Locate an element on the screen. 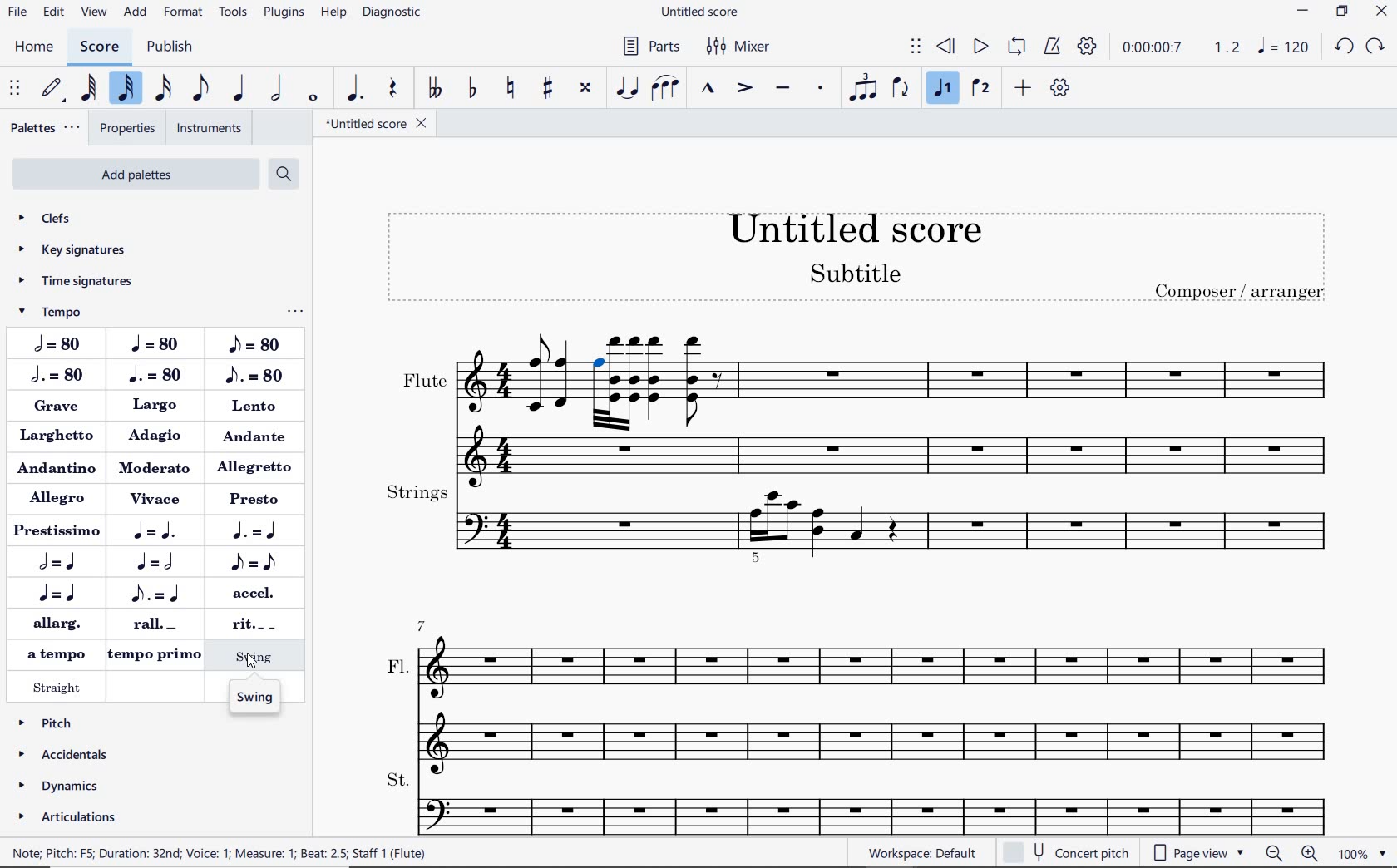  redo is located at coordinates (1376, 47).